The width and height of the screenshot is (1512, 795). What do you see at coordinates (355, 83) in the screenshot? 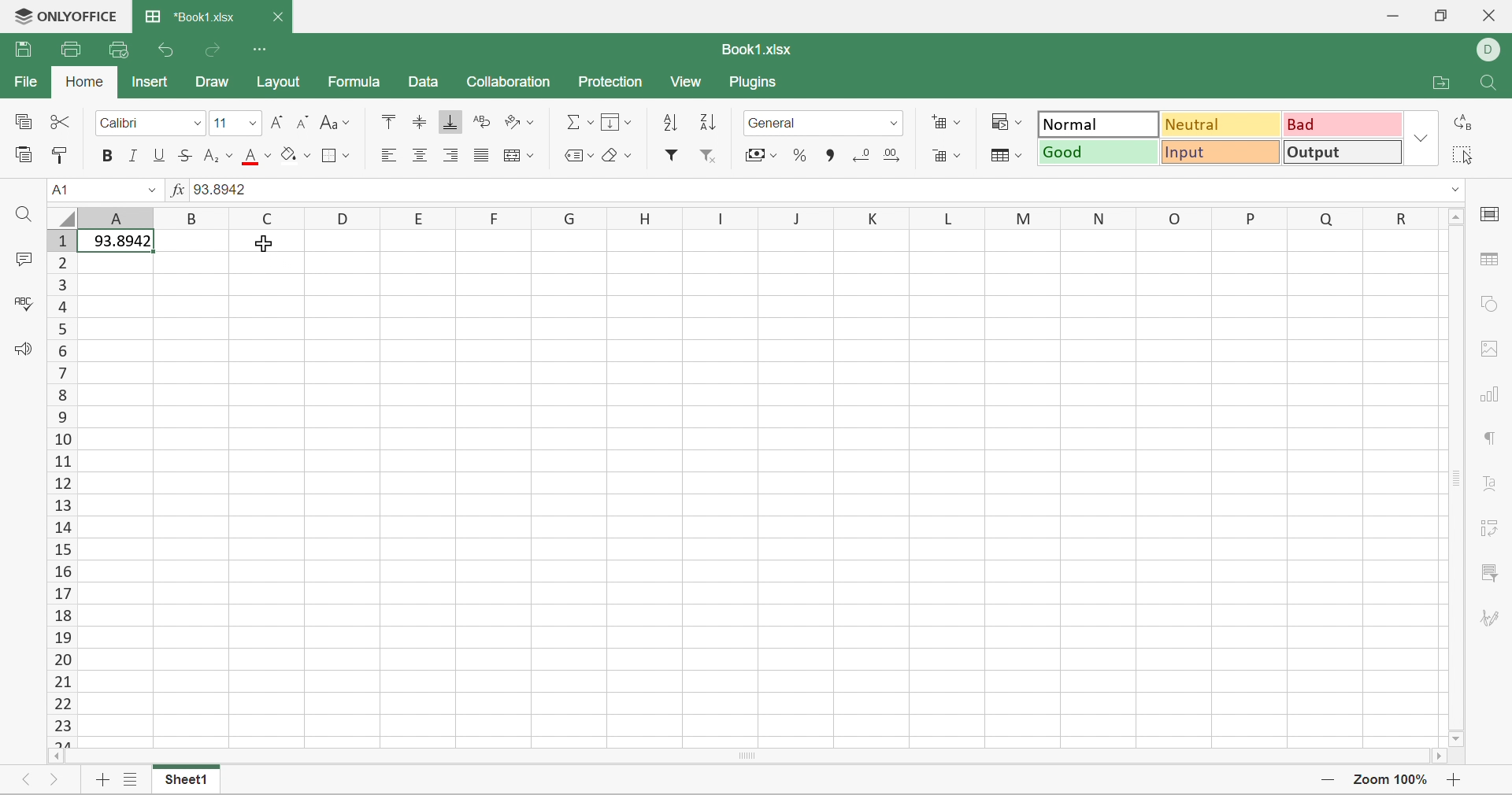
I see `Formula` at bounding box center [355, 83].